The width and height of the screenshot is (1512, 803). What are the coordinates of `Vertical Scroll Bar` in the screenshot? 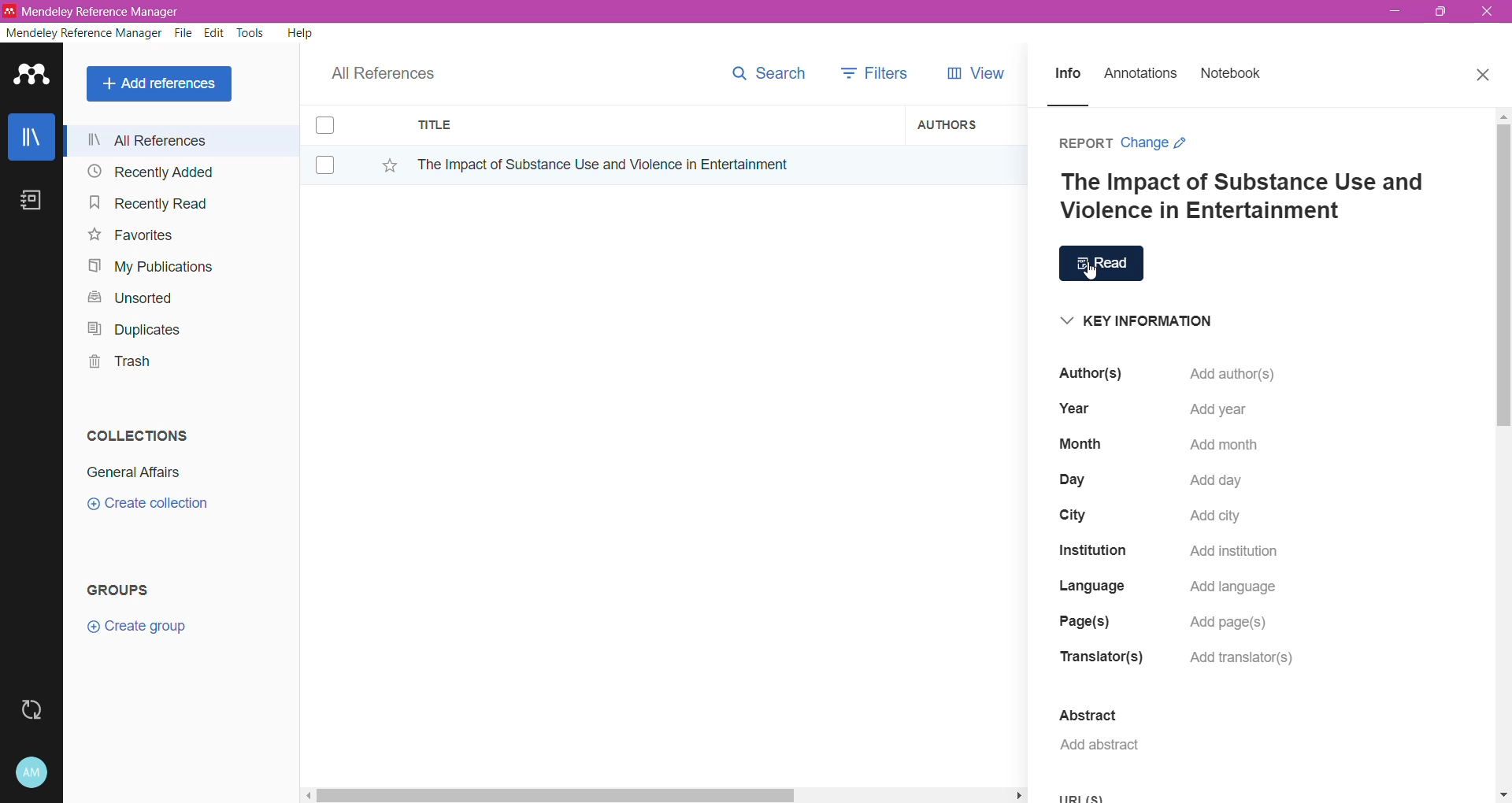 It's located at (1503, 454).